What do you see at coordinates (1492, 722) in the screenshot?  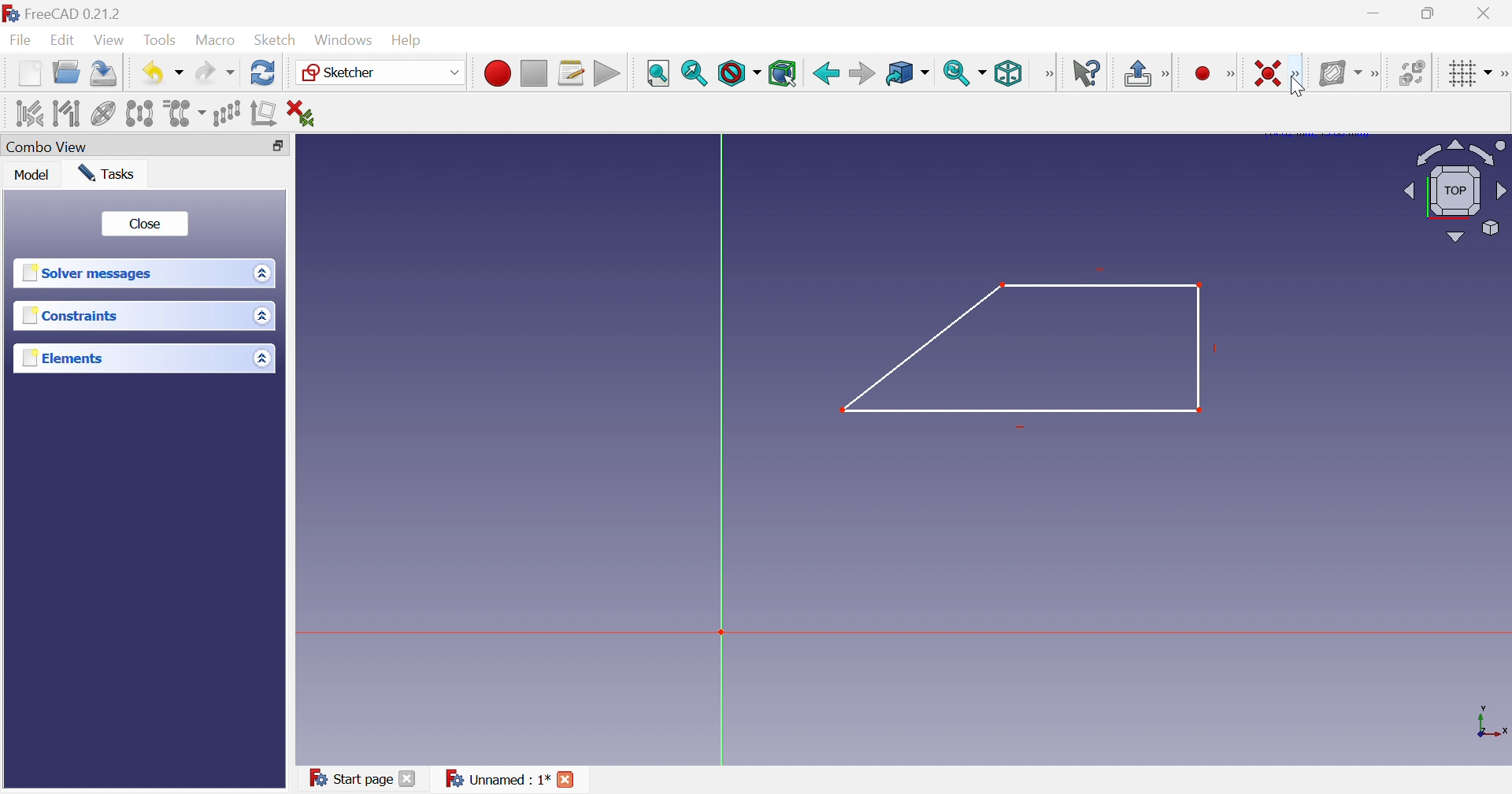 I see `X, Y plane` at bounding box center [1492, 722].